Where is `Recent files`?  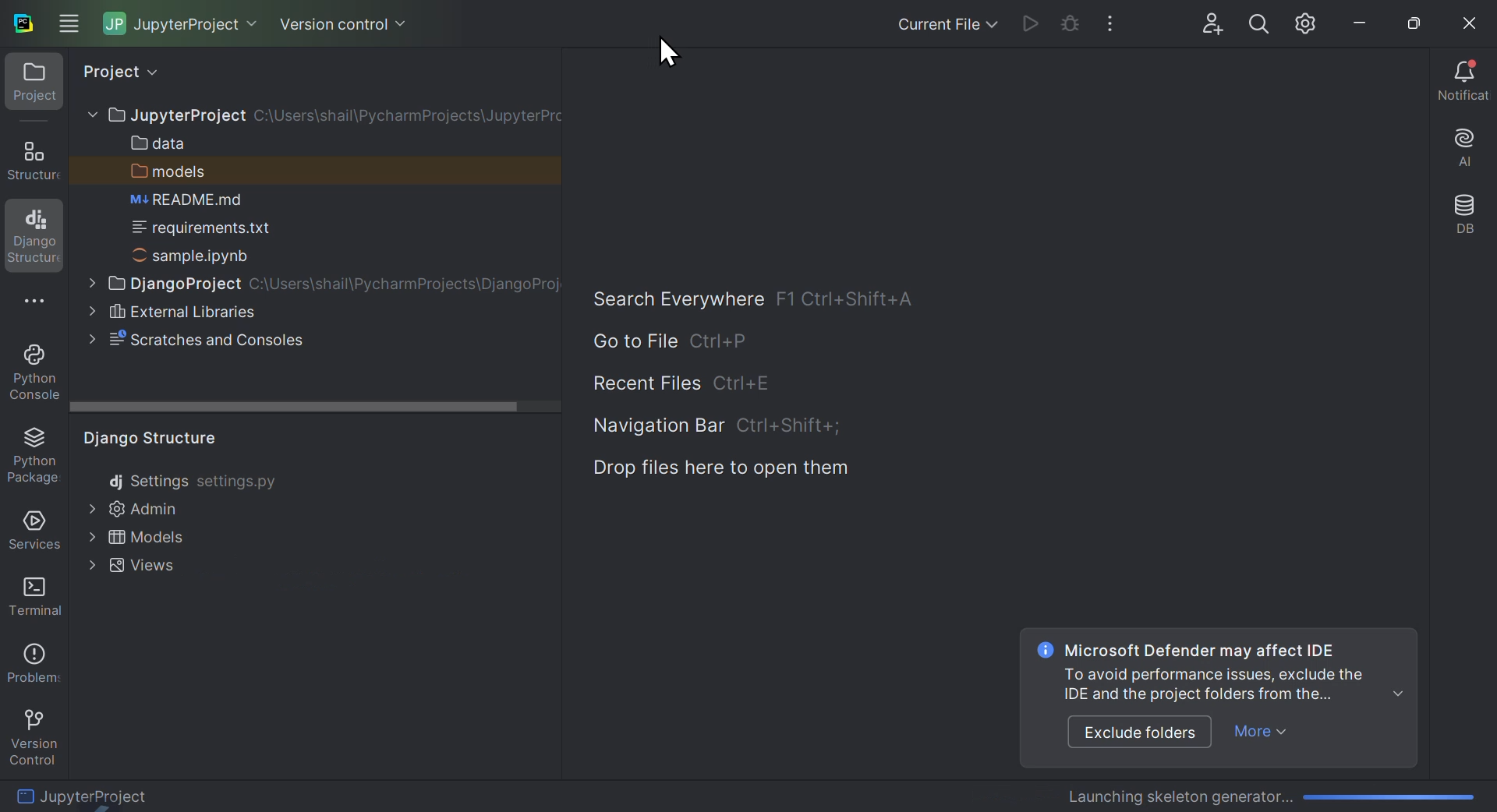
Recent files is located at coordinates (642, 384).